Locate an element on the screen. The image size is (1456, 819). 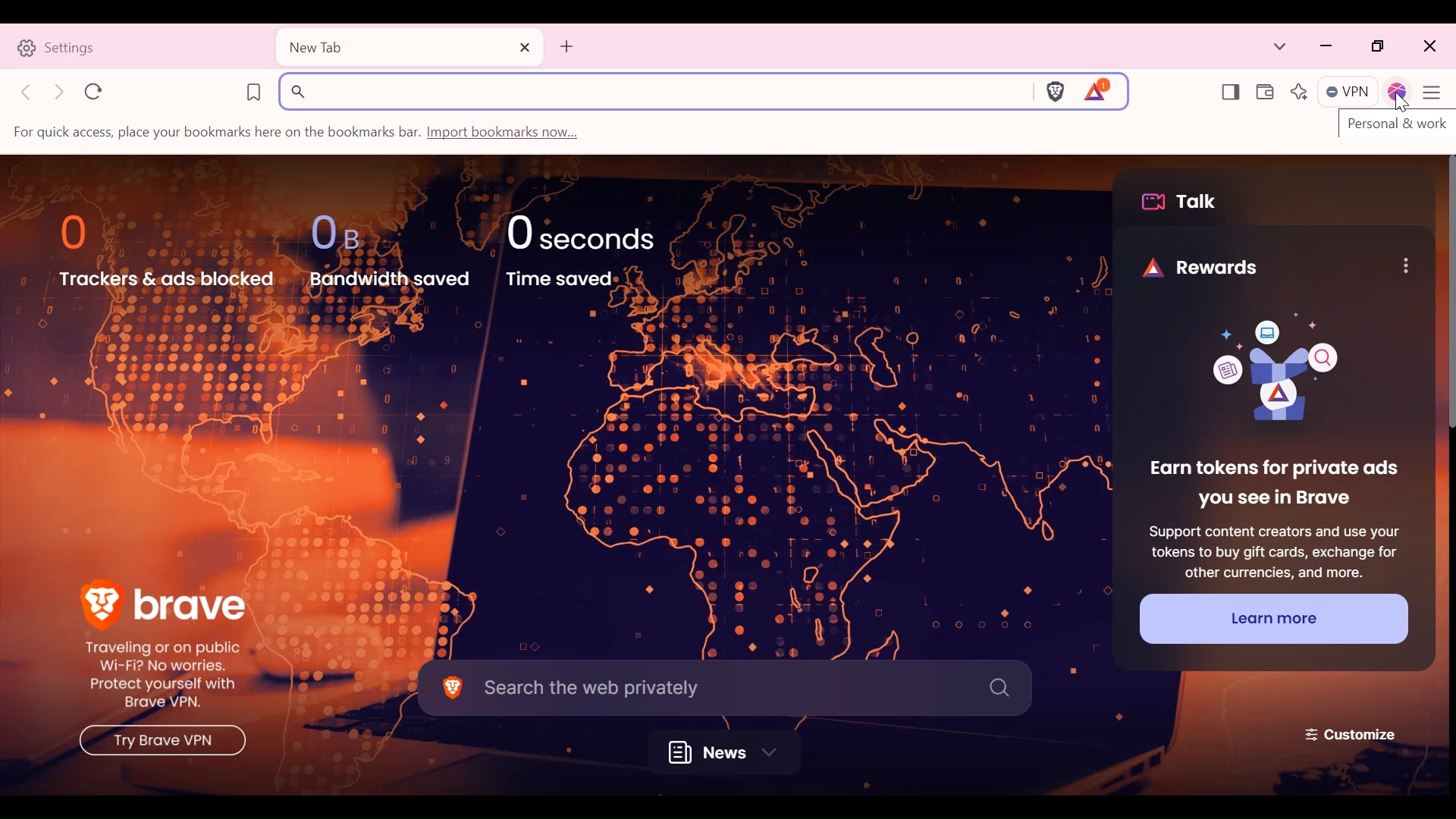
Brave Talk is located at coordinates (1185, 202).